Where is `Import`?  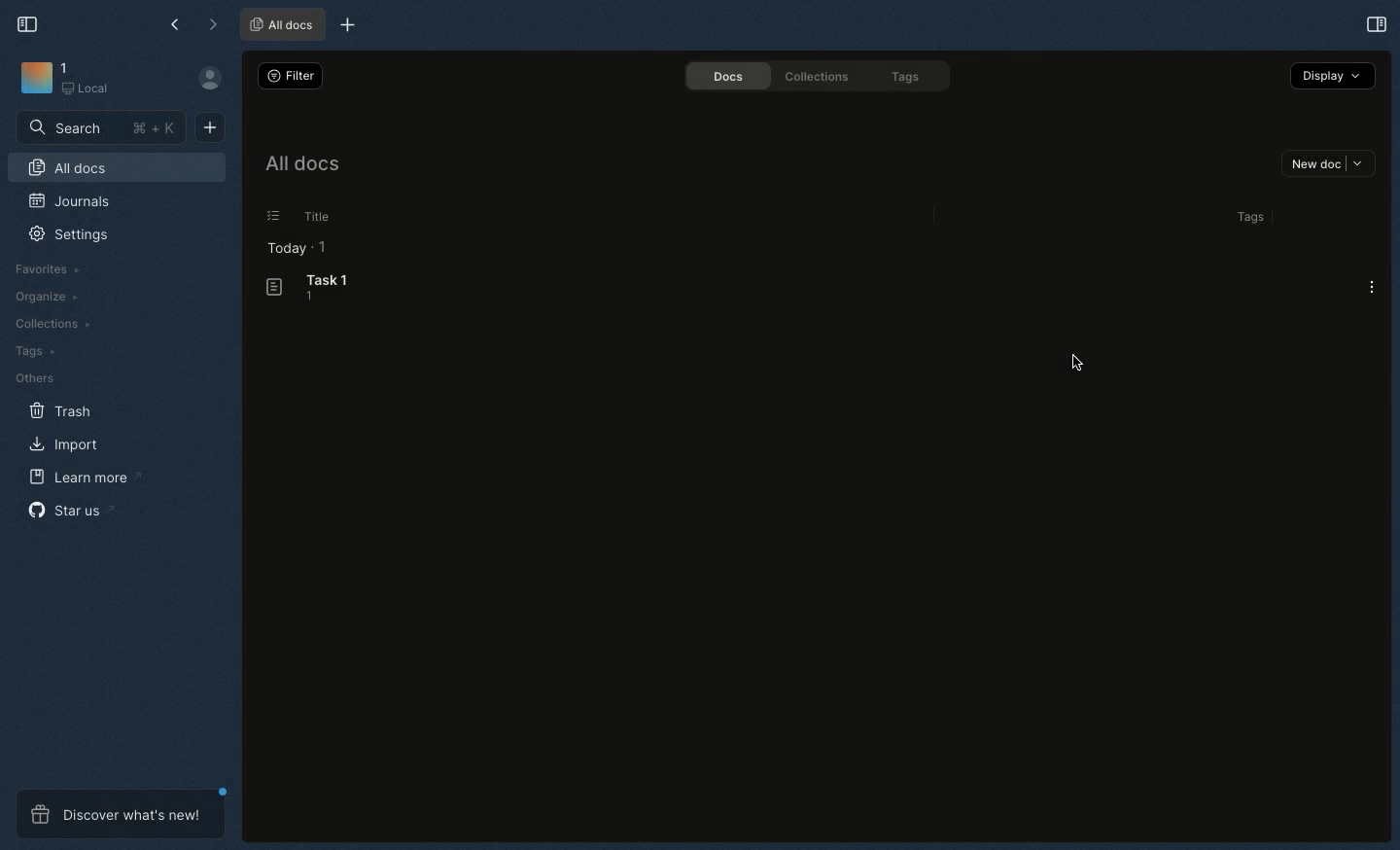 Import is located at coordinates (66, 445).